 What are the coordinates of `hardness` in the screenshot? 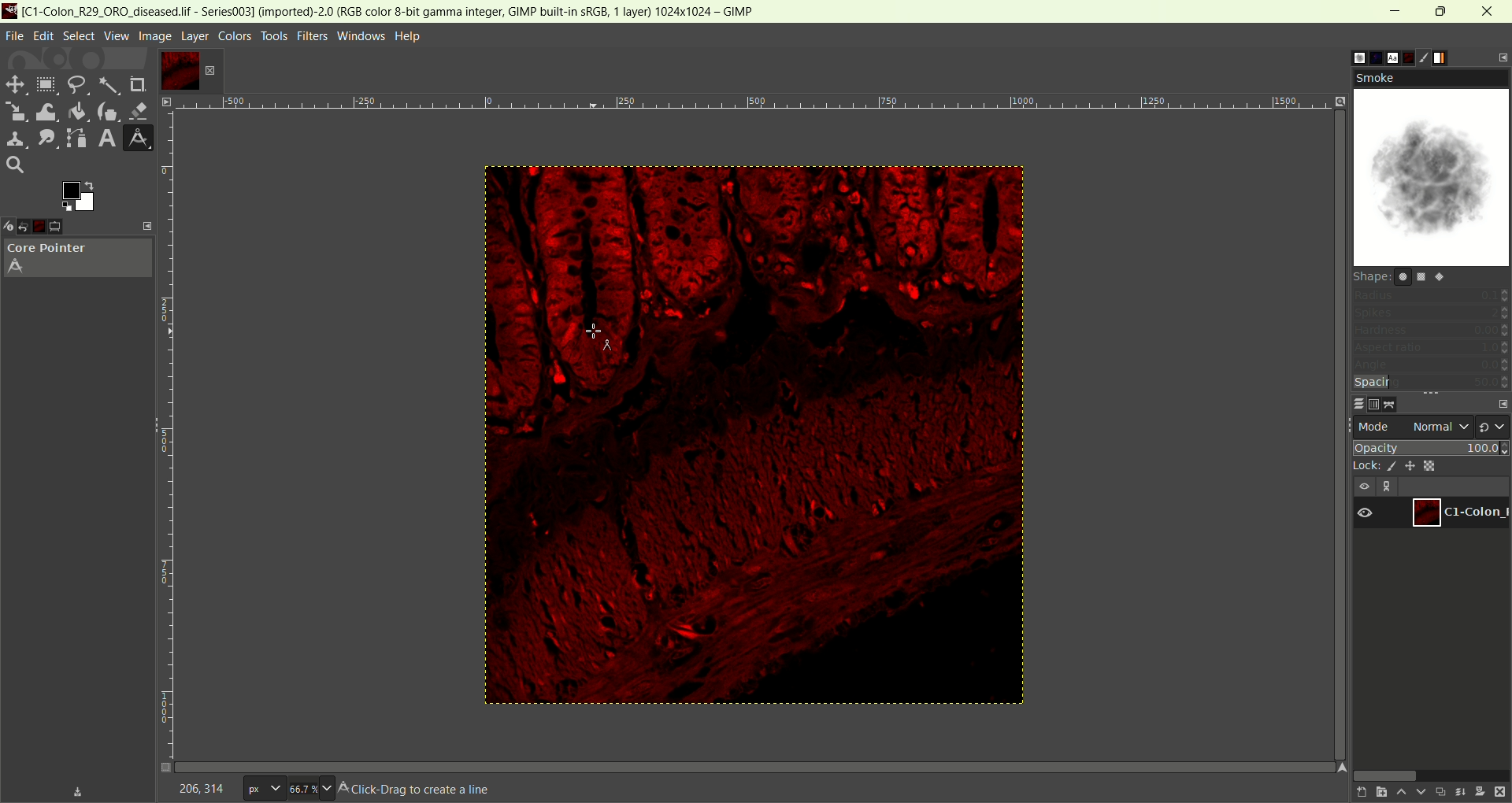 It's located at (1431, 331).